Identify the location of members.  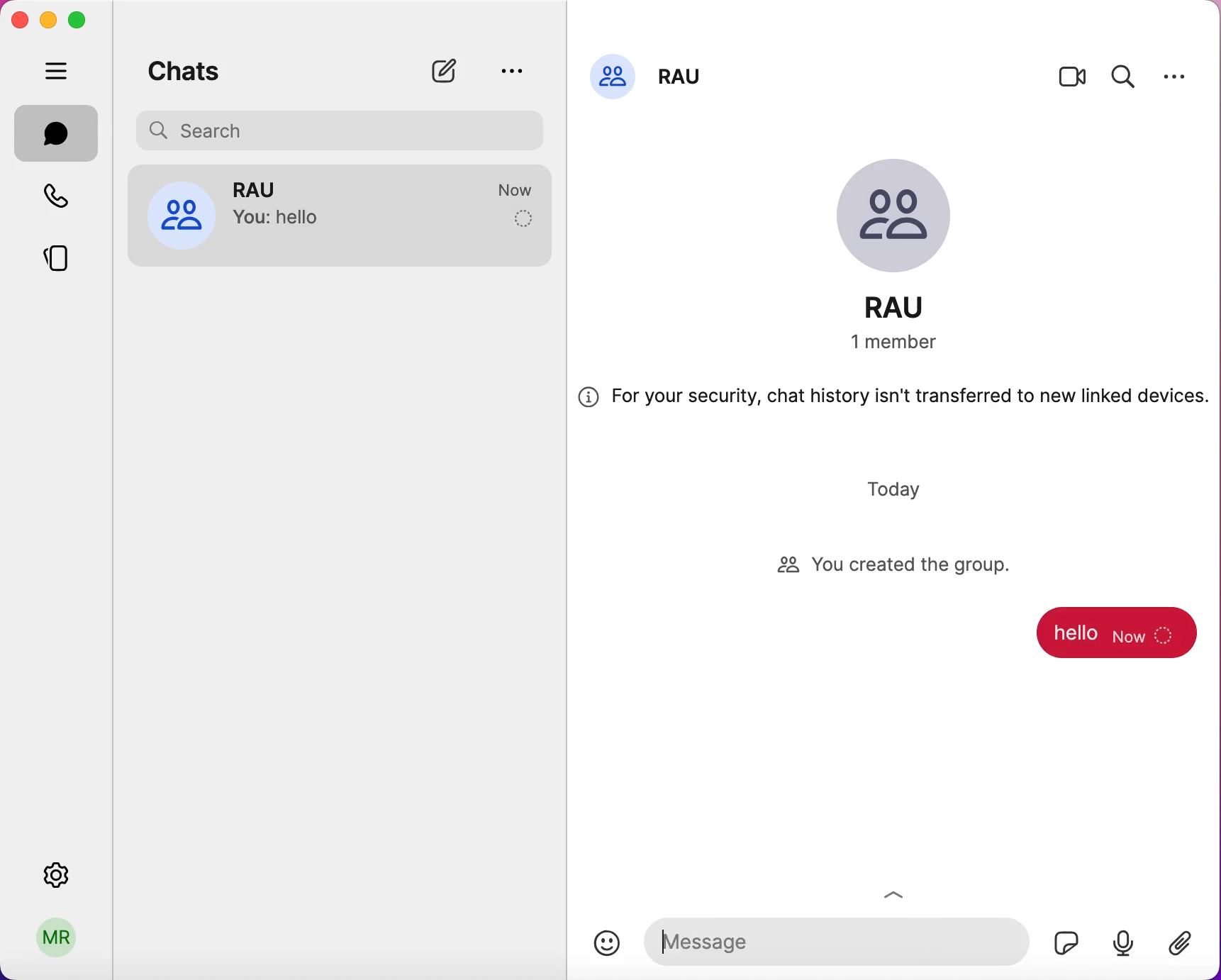
(910, 343).